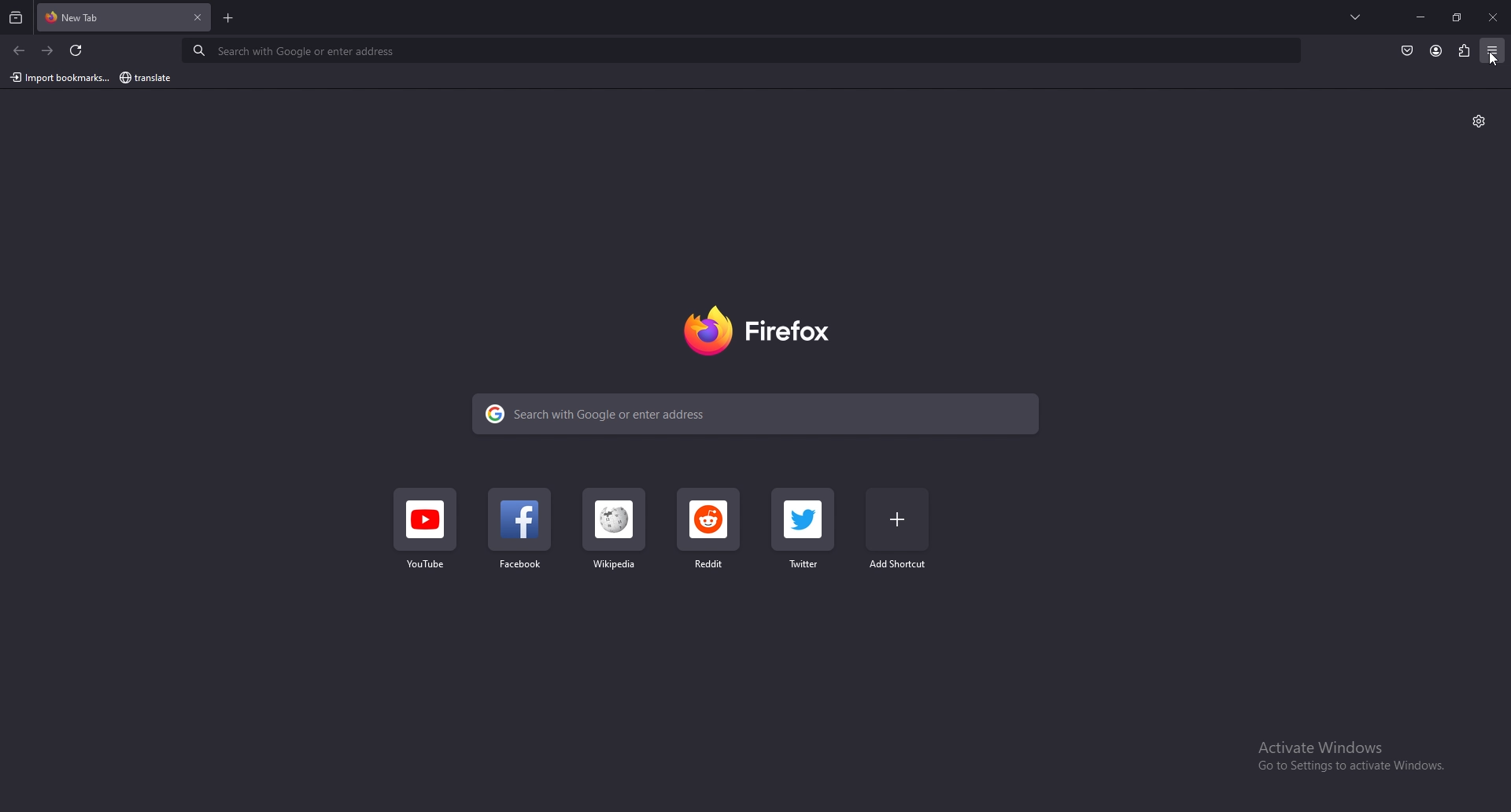 The image size is (1511, 812). I want to click on extensions, so click(1465, 52).